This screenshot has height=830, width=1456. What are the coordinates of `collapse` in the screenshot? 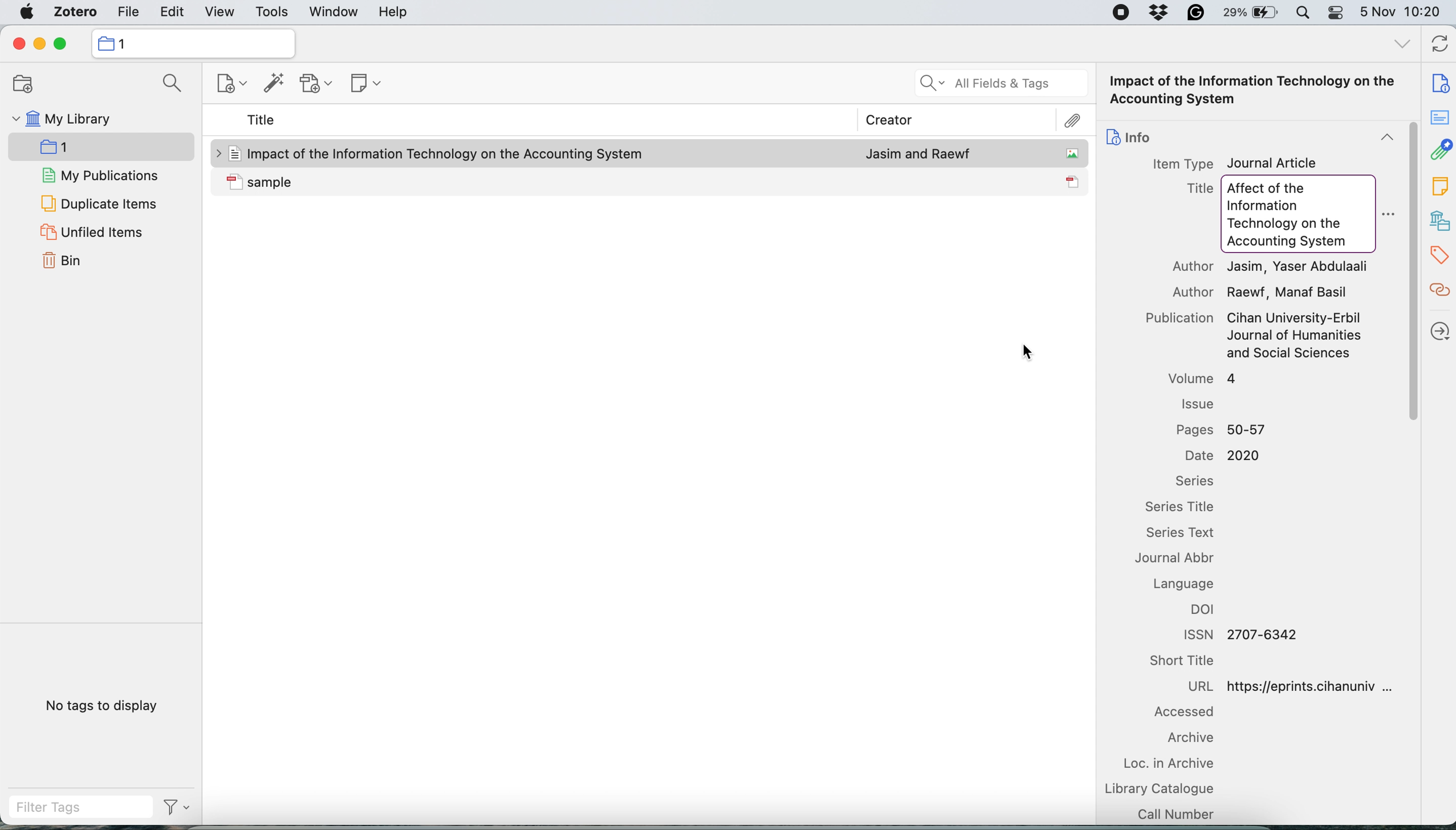 It's located at (1386, 137).